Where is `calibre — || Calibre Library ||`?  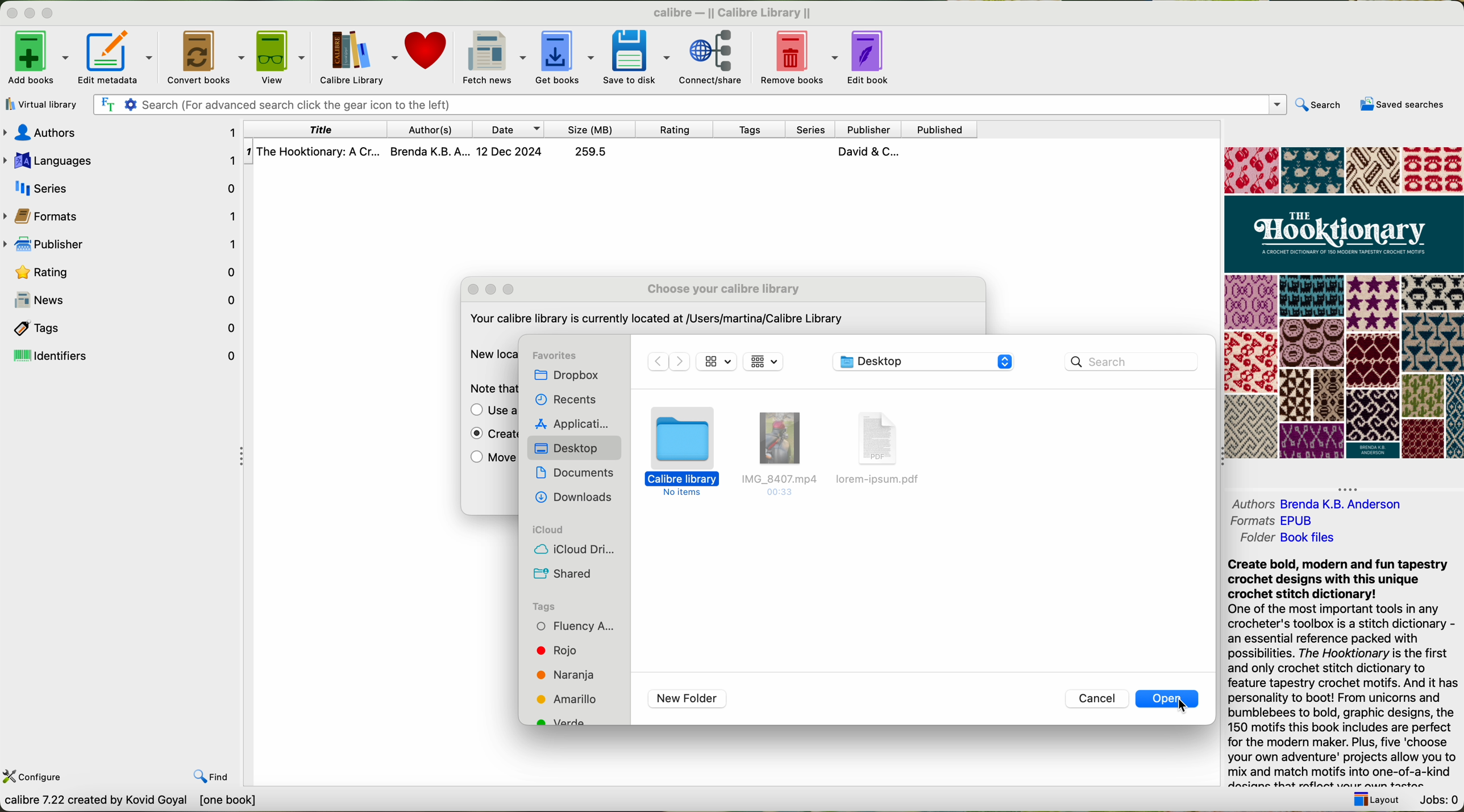
calibre — || Calibre Library || is located at coordinates (731, 11).